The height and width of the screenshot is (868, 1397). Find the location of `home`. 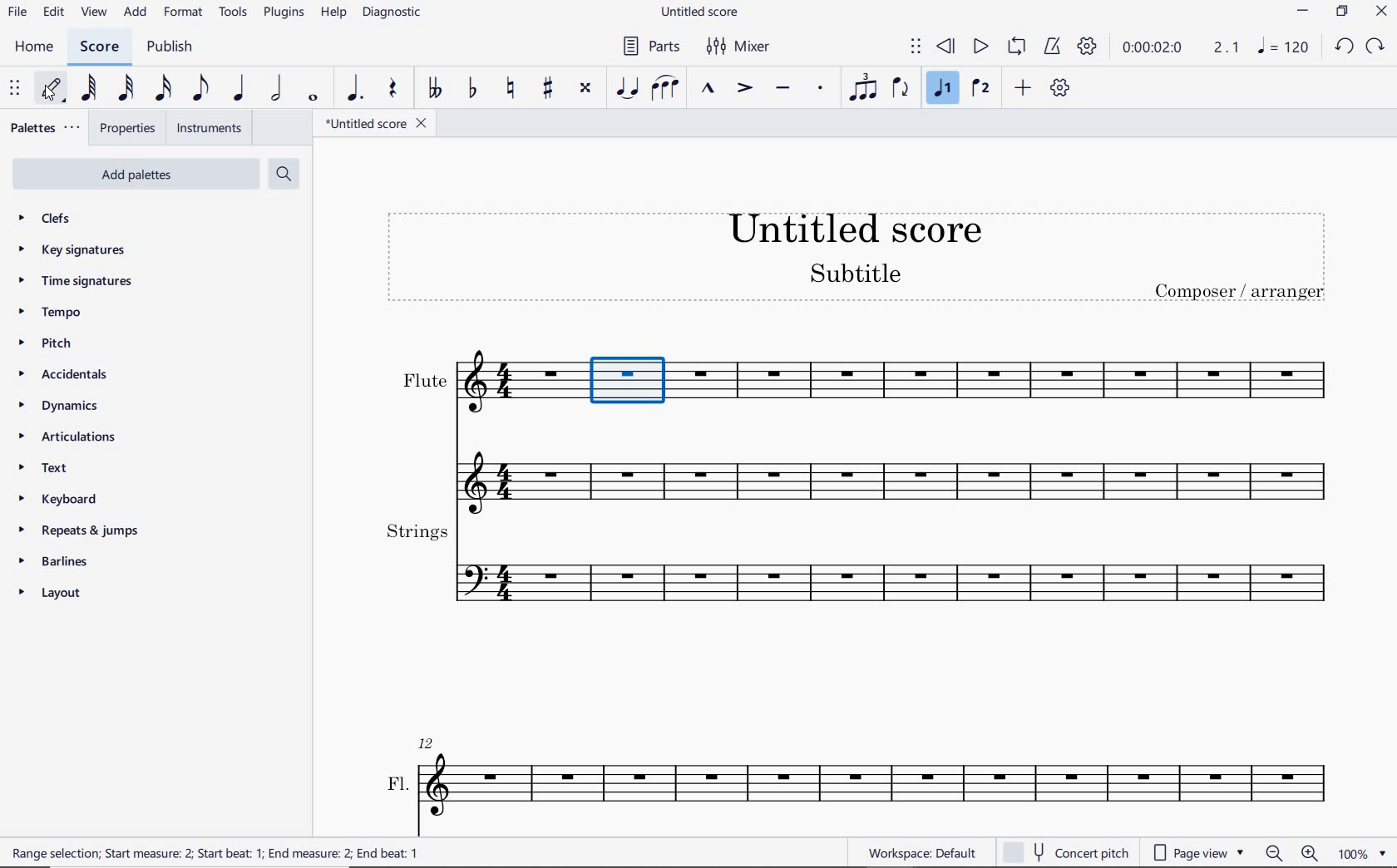

home is located at coordinates (35, 47).